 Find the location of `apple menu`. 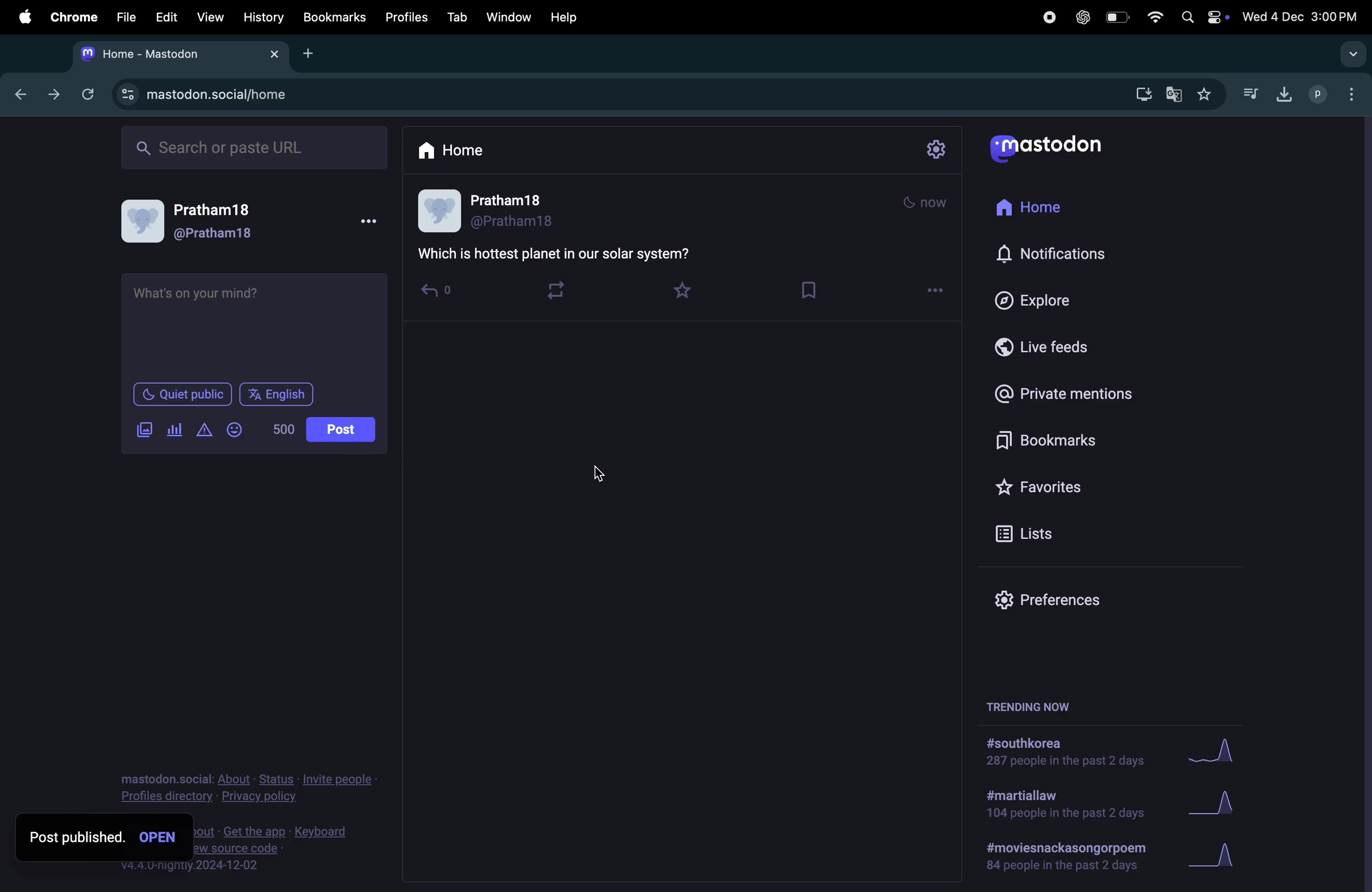

apple menu is located at coordinates (21, 17).